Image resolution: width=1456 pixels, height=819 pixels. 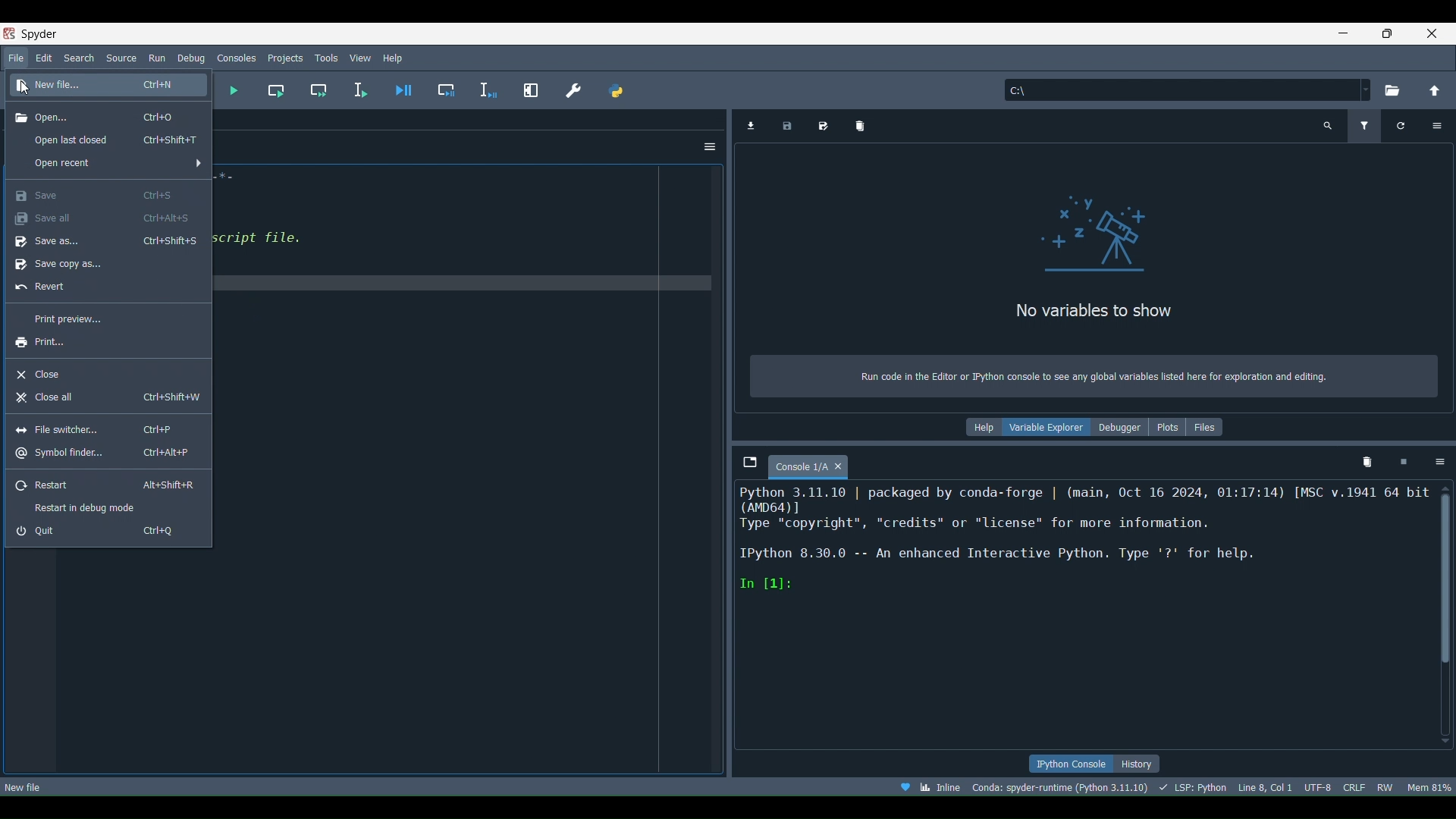 What do you see at coordinates (121, 56) in the screenshot?
I see `Source` at bounding box center [121, 56].